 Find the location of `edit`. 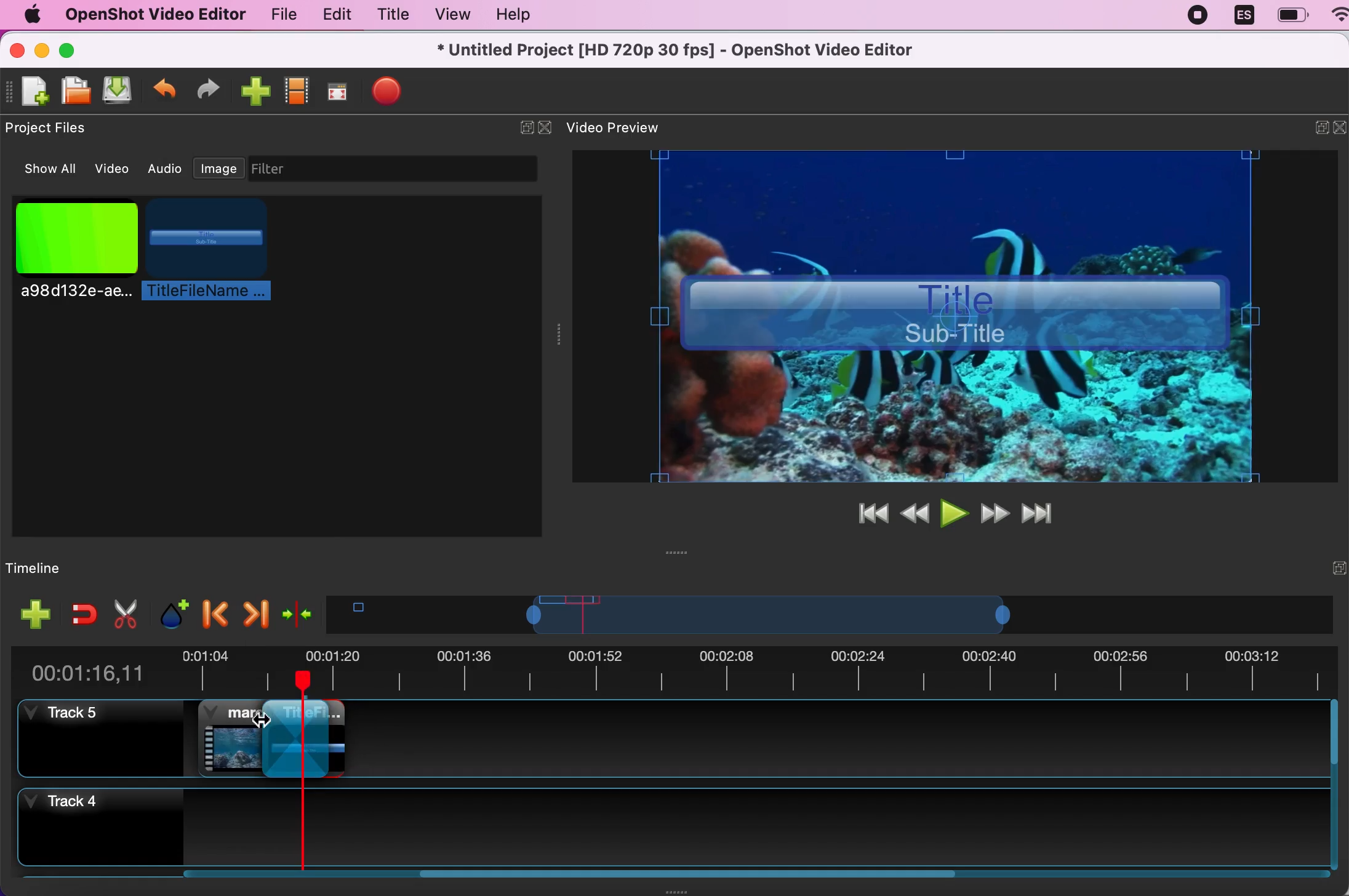

edit is located at coordinates (334, 15).